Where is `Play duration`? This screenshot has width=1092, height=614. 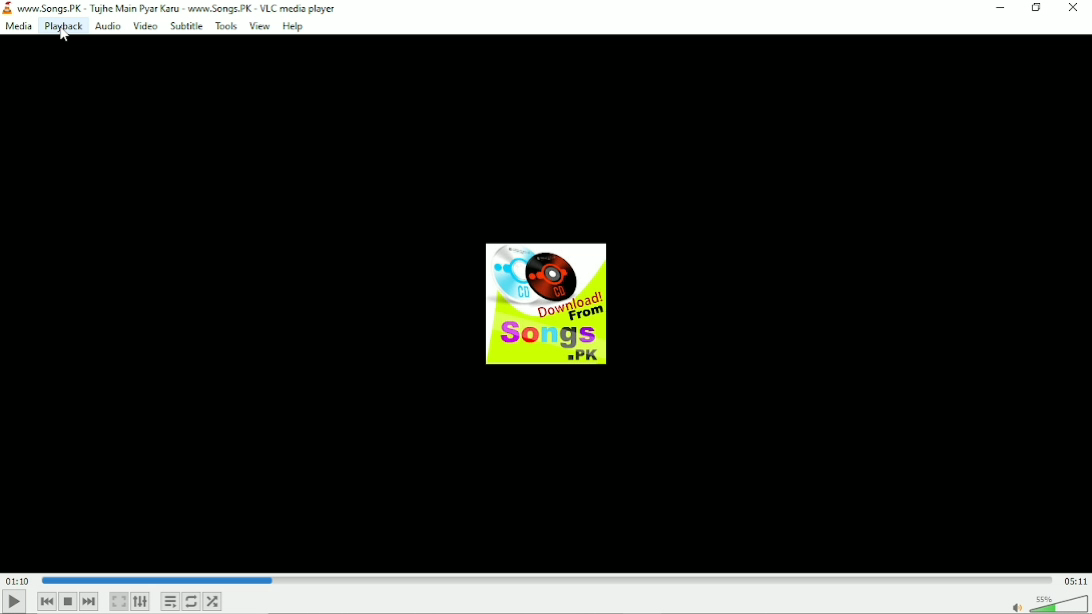
Play duration is located at coordinates (547, 579).